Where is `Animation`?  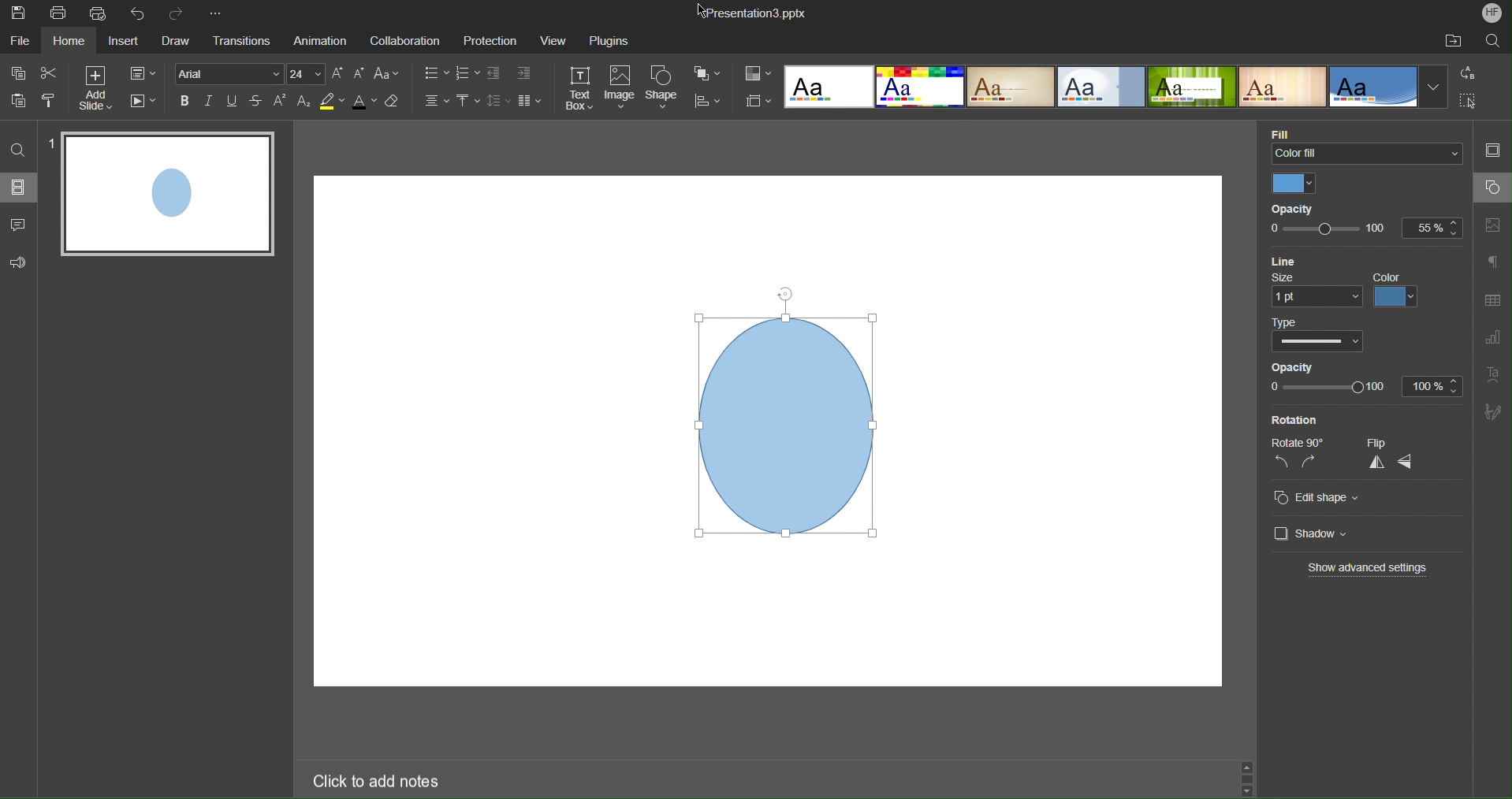 Animation is located at coordinates (318, 41).